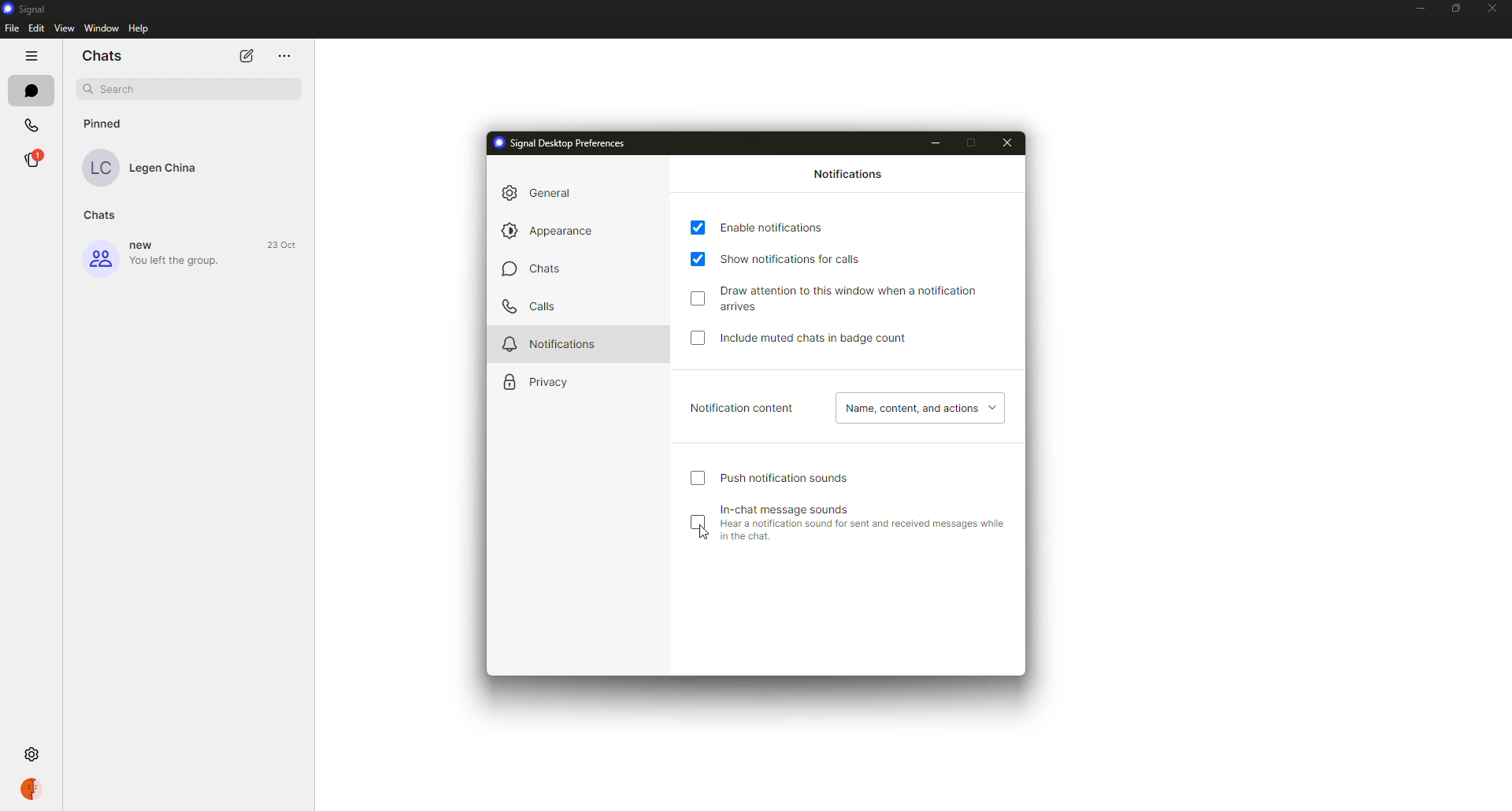 The image size is (1512, 811). Describe the element at coordinates (696, 338) in the screenshot. I see `tap to select` at that location.